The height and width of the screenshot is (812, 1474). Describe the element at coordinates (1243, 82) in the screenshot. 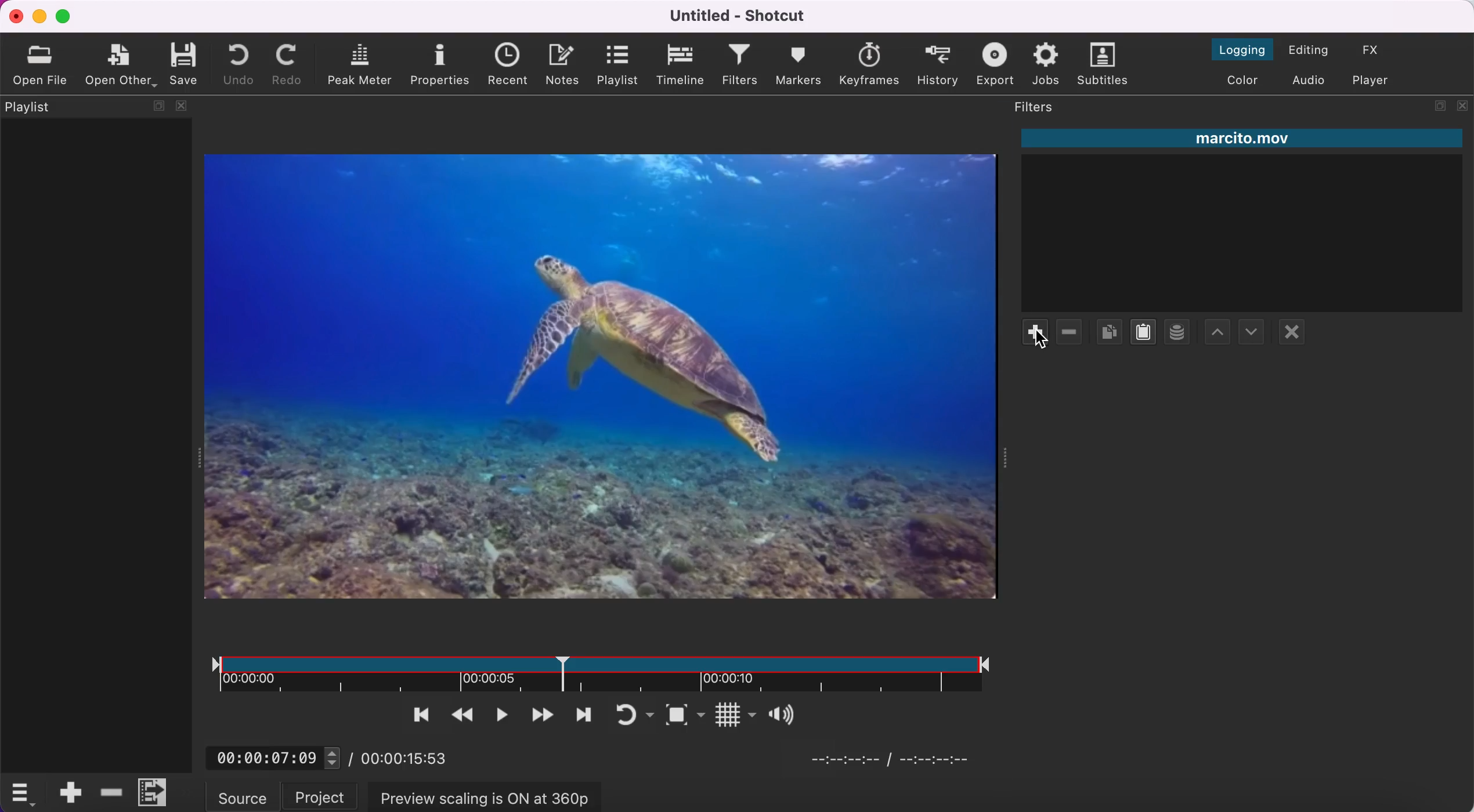

I see `switch to the color layout` at that location.